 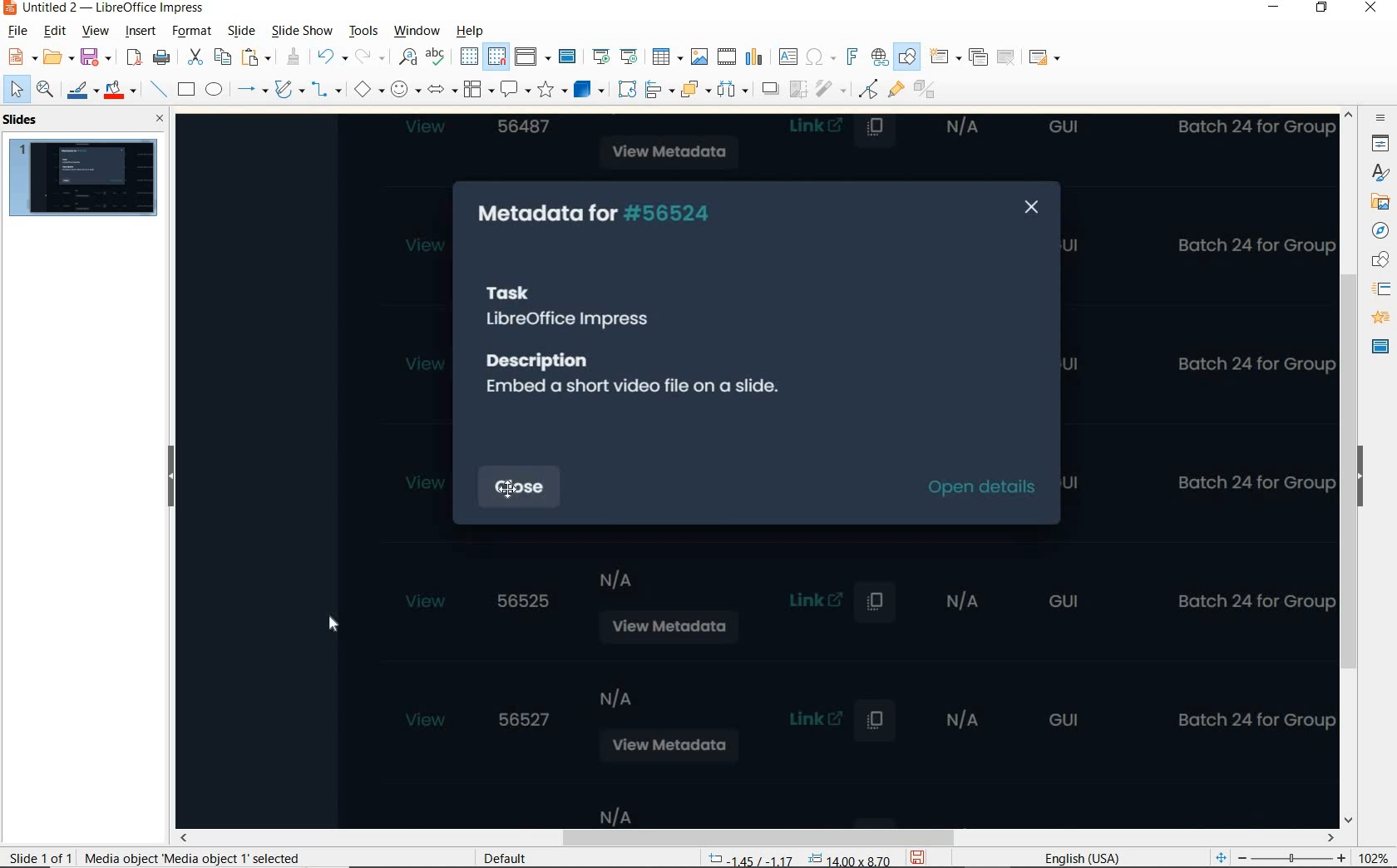 I want to click on FILE, so click(x=15, y=32).